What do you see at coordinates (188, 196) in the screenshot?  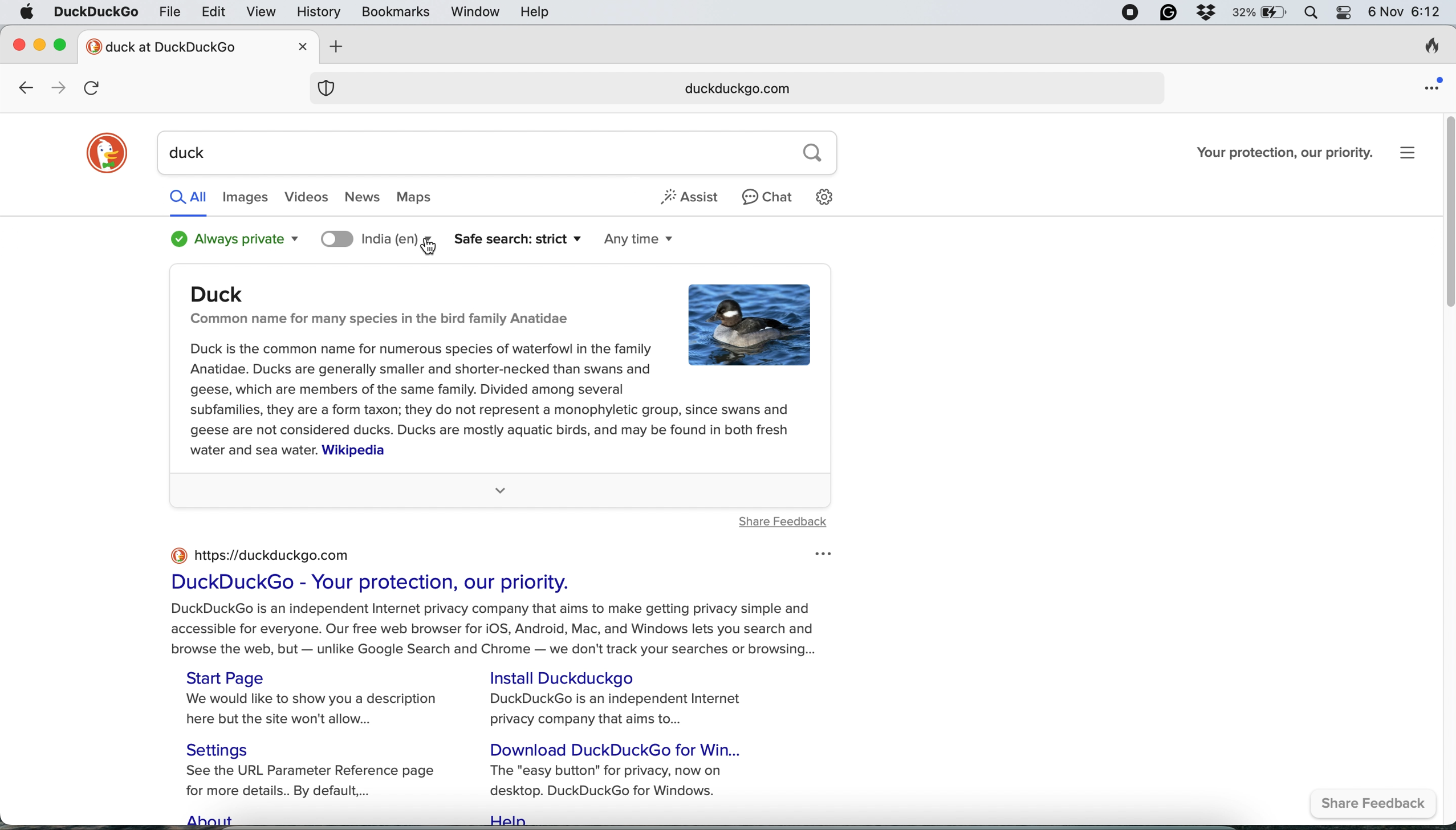 I see `all` at bounding box center [188, 196].